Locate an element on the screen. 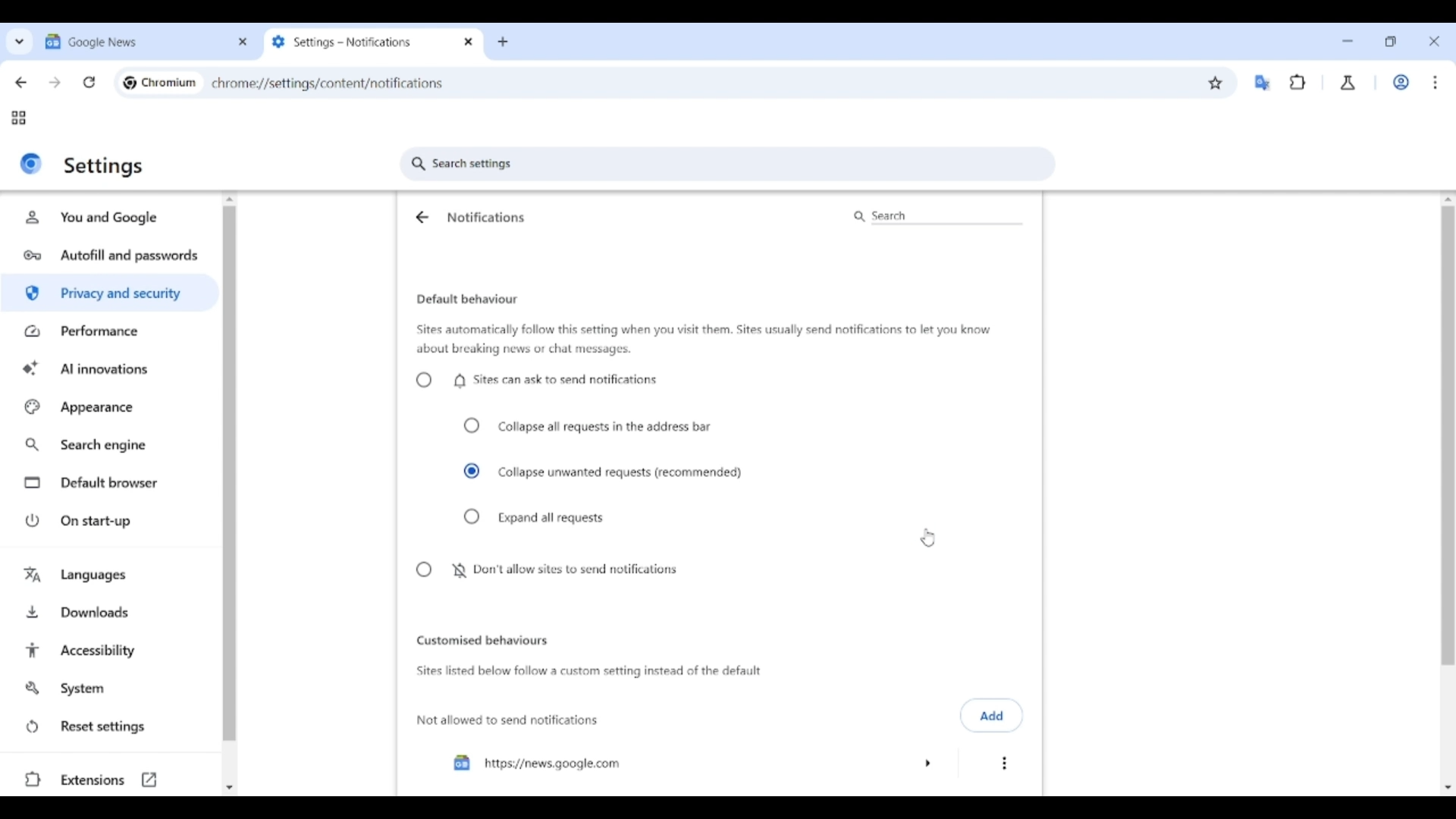 This screenshot has width=1456, height=819. Bookmark this tab is located at coordinates (1216, 83).